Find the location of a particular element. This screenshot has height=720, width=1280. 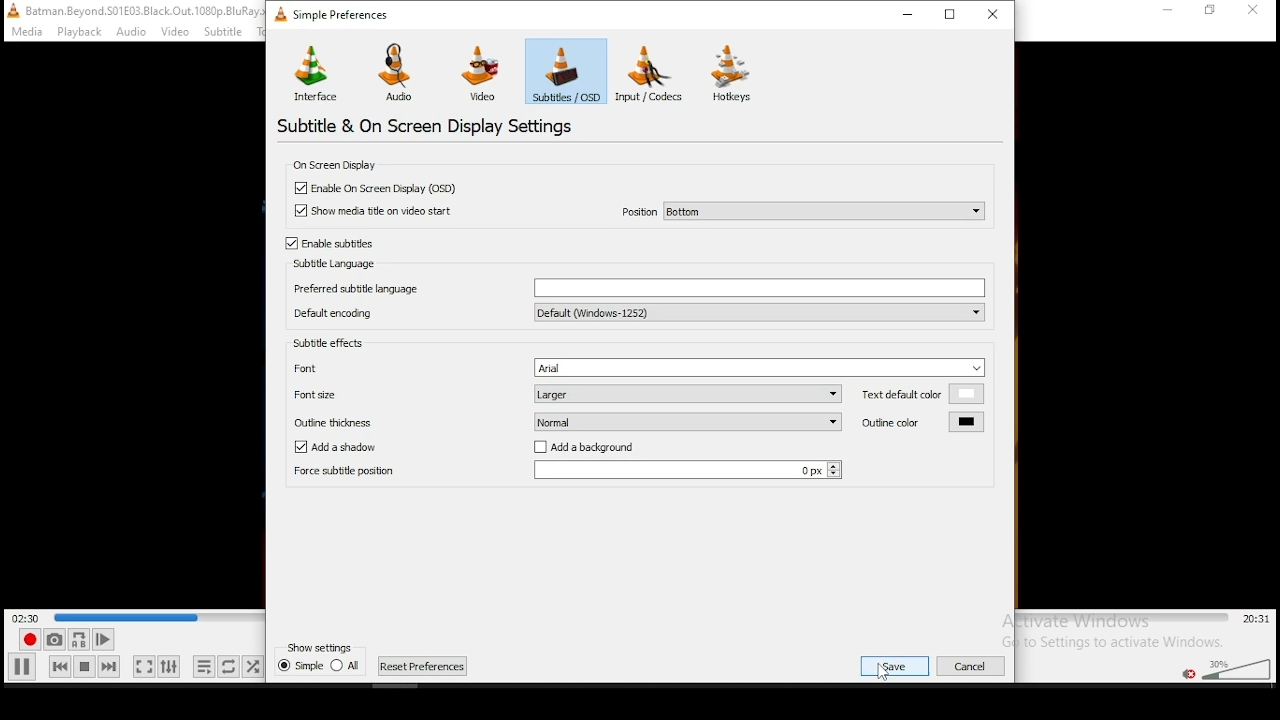

total/remaining time is located at coordinates (1258, 619).